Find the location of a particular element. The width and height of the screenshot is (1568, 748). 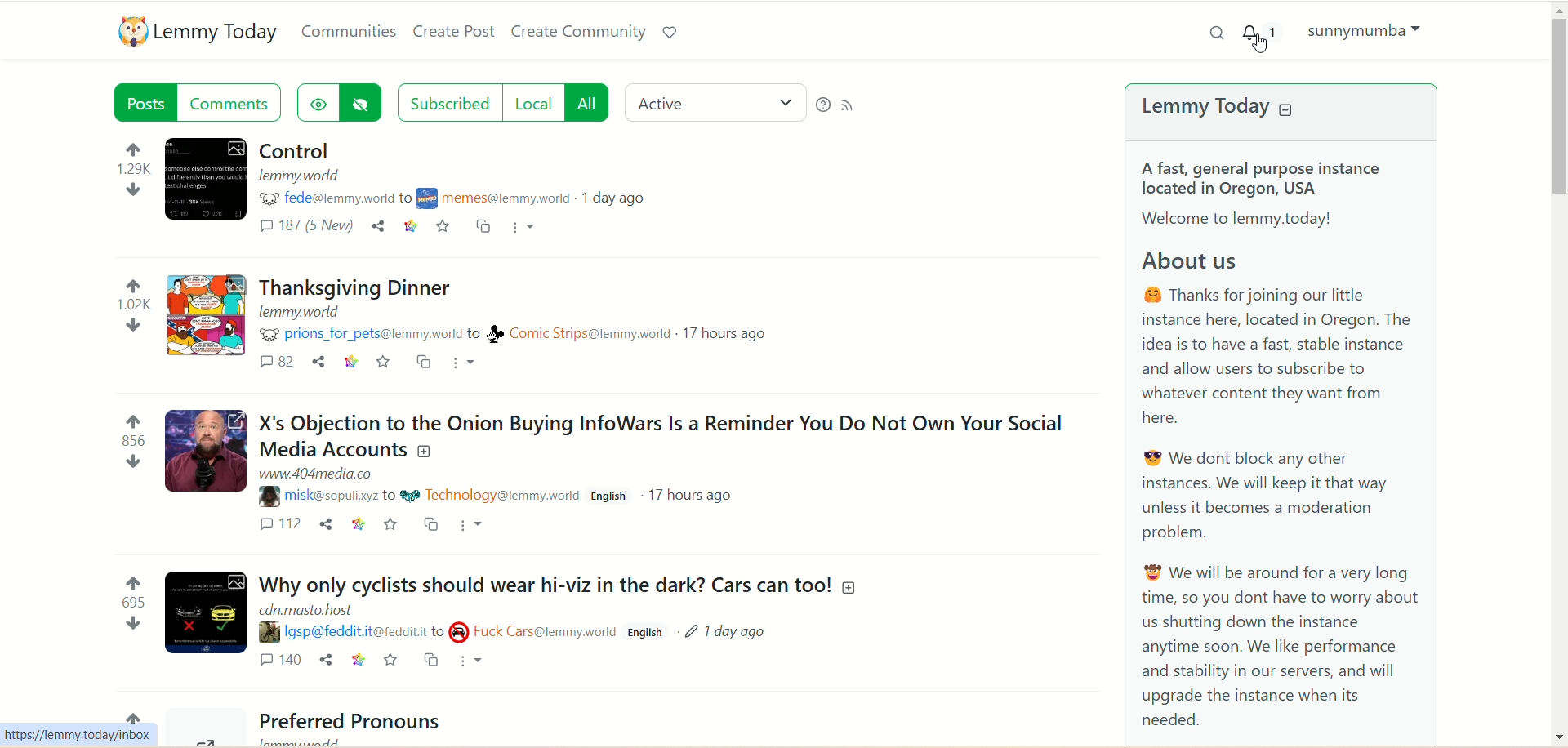

collapse is located at coordinates (1286, 110).